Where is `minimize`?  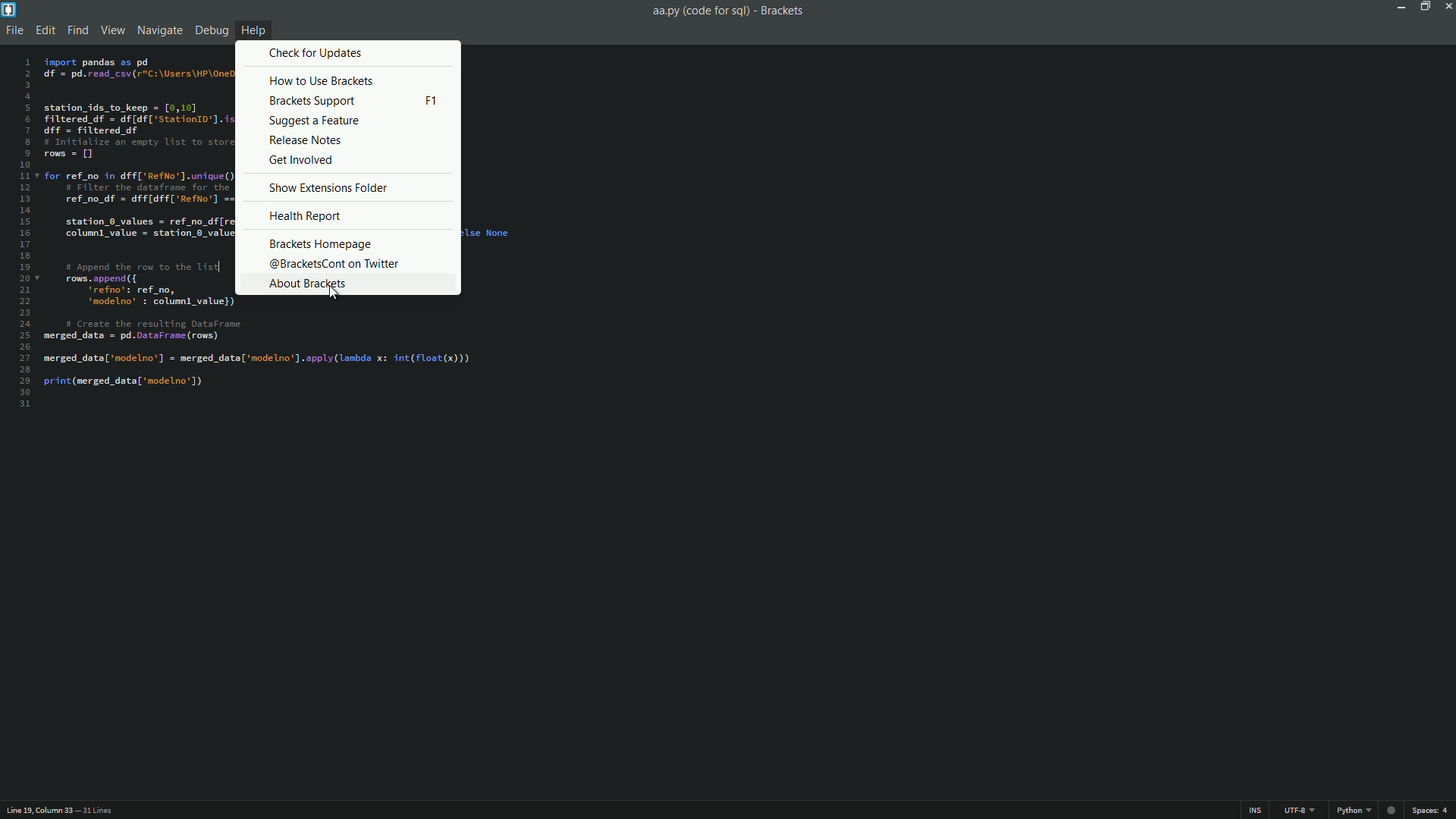 minimize is located at coordinates (1400, 8).